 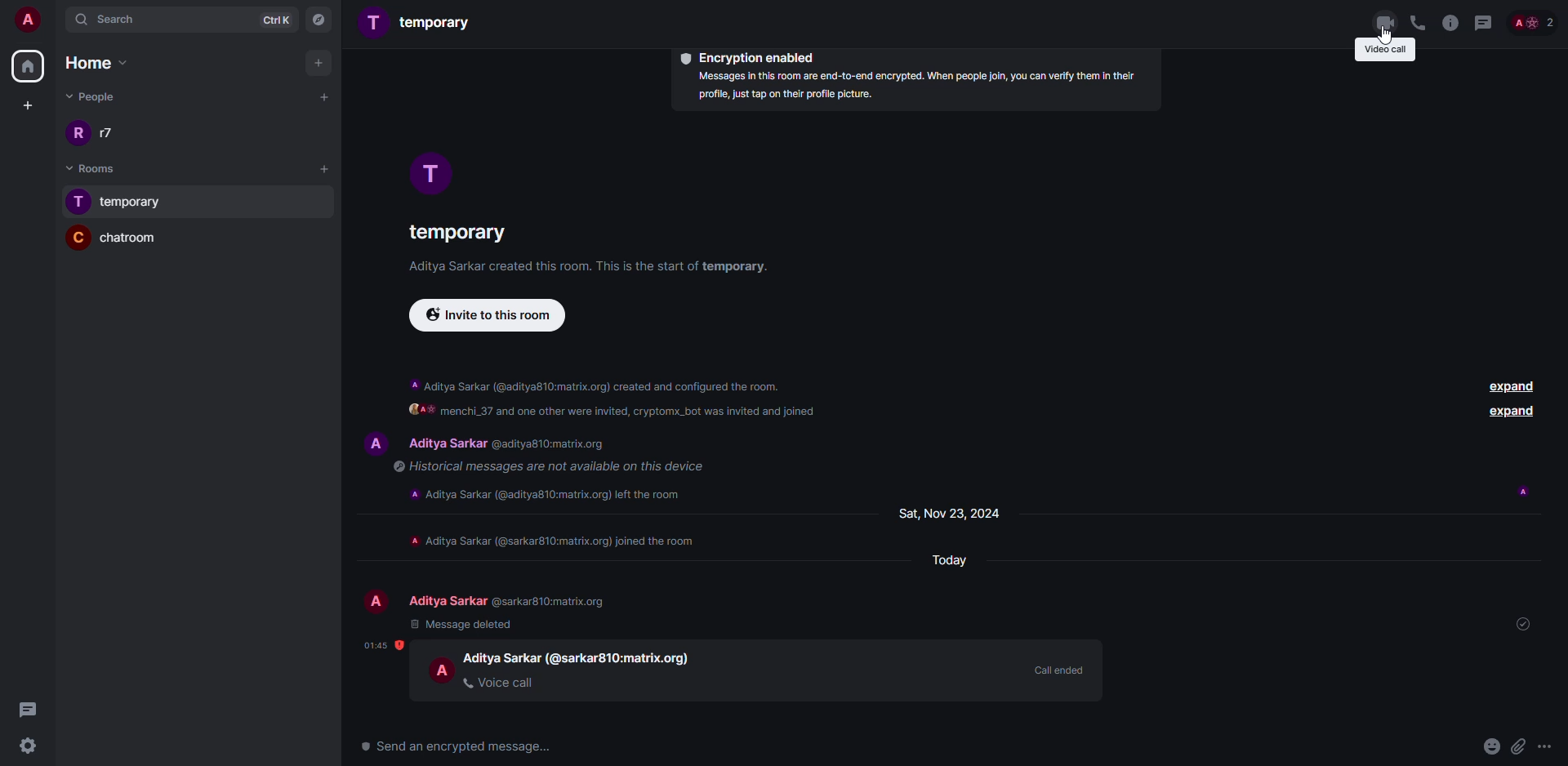 What do you see at coordinates (78, 133) in the screenshot?
I see `profile` at bounding box center [78, 133].